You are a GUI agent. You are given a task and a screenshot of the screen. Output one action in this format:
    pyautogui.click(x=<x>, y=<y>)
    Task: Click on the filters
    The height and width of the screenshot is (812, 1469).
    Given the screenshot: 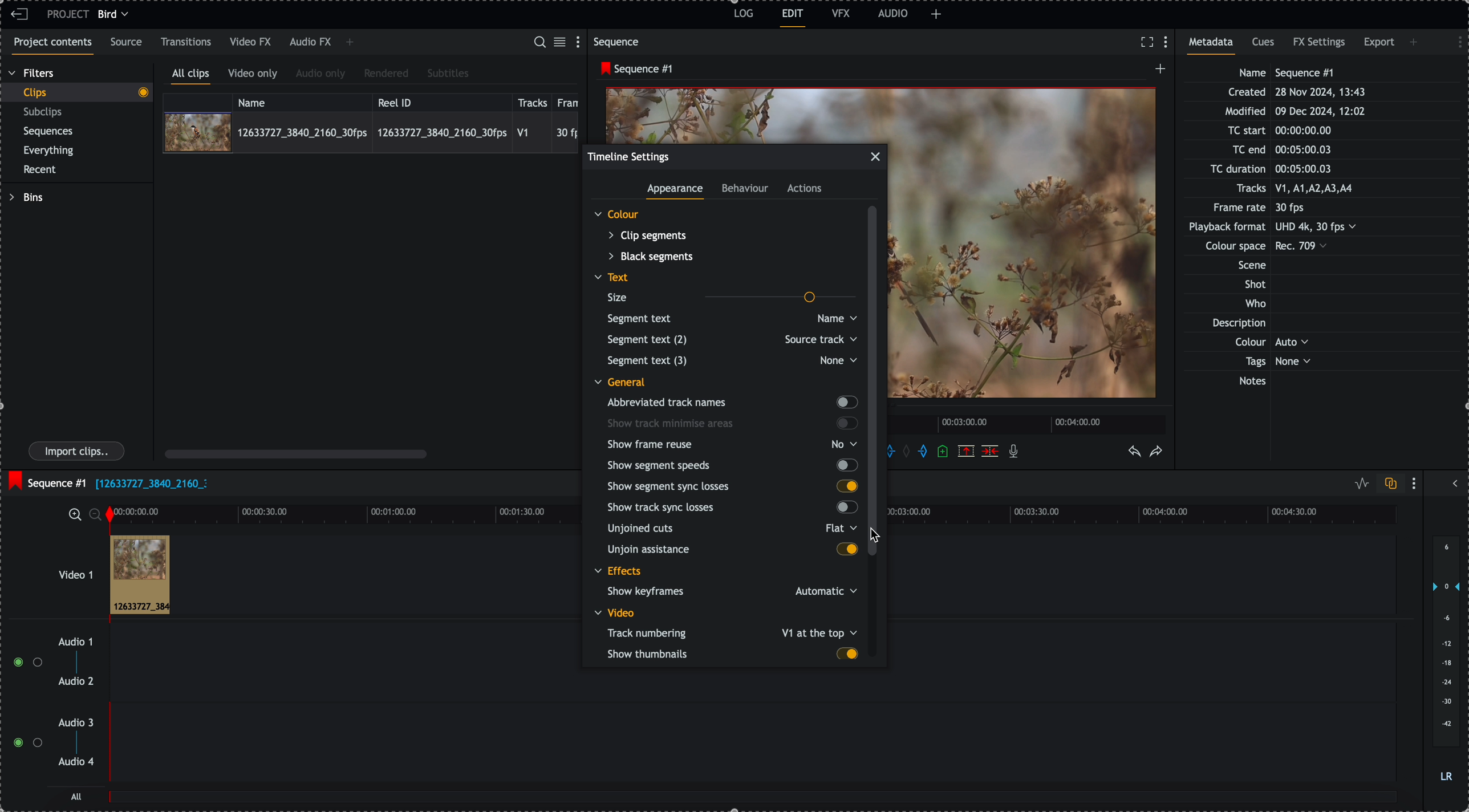 What is the action you would take?
    pyautogui.click(x=33, y=74)
    